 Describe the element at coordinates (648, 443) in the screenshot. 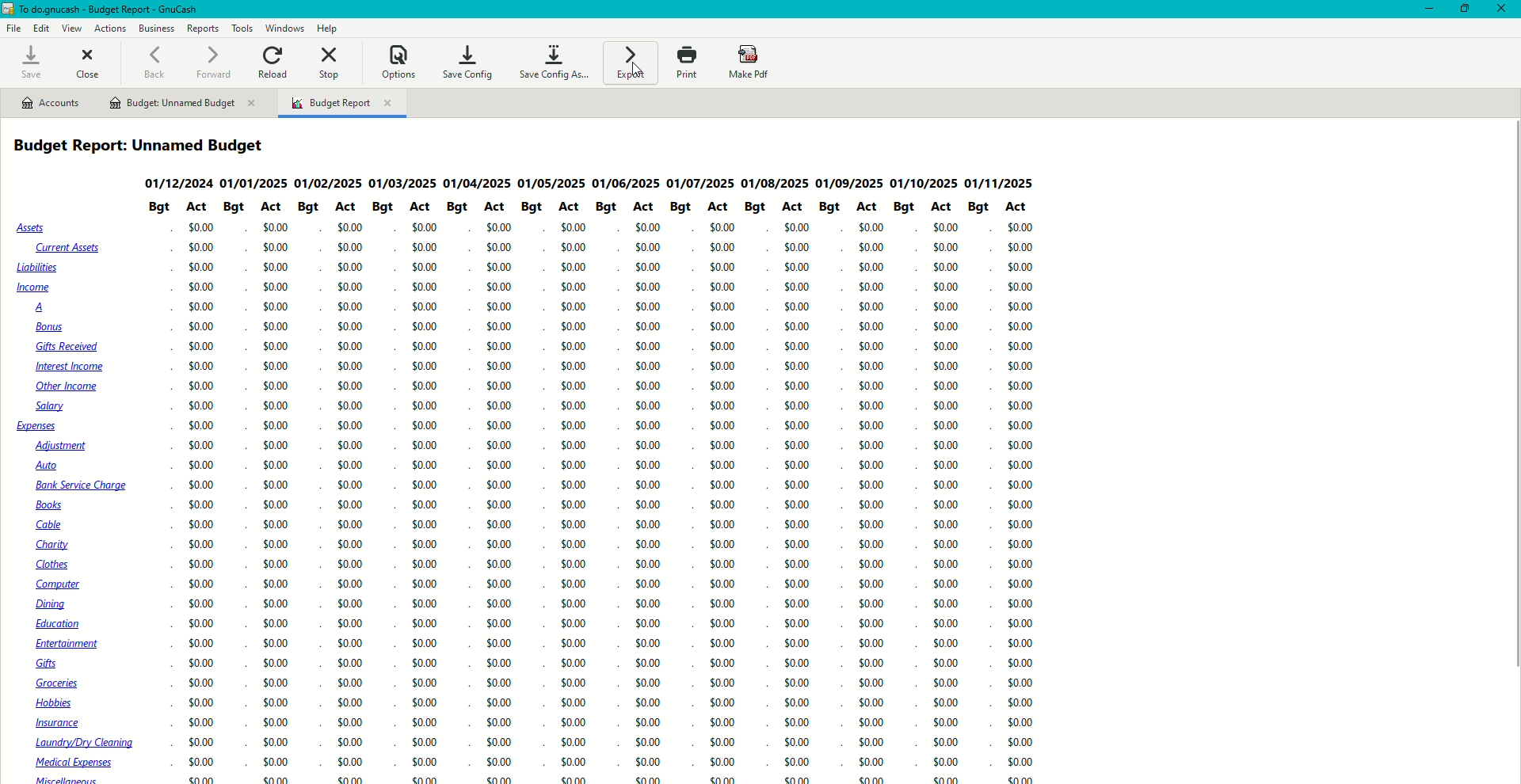

I see `$0.00` at that location.